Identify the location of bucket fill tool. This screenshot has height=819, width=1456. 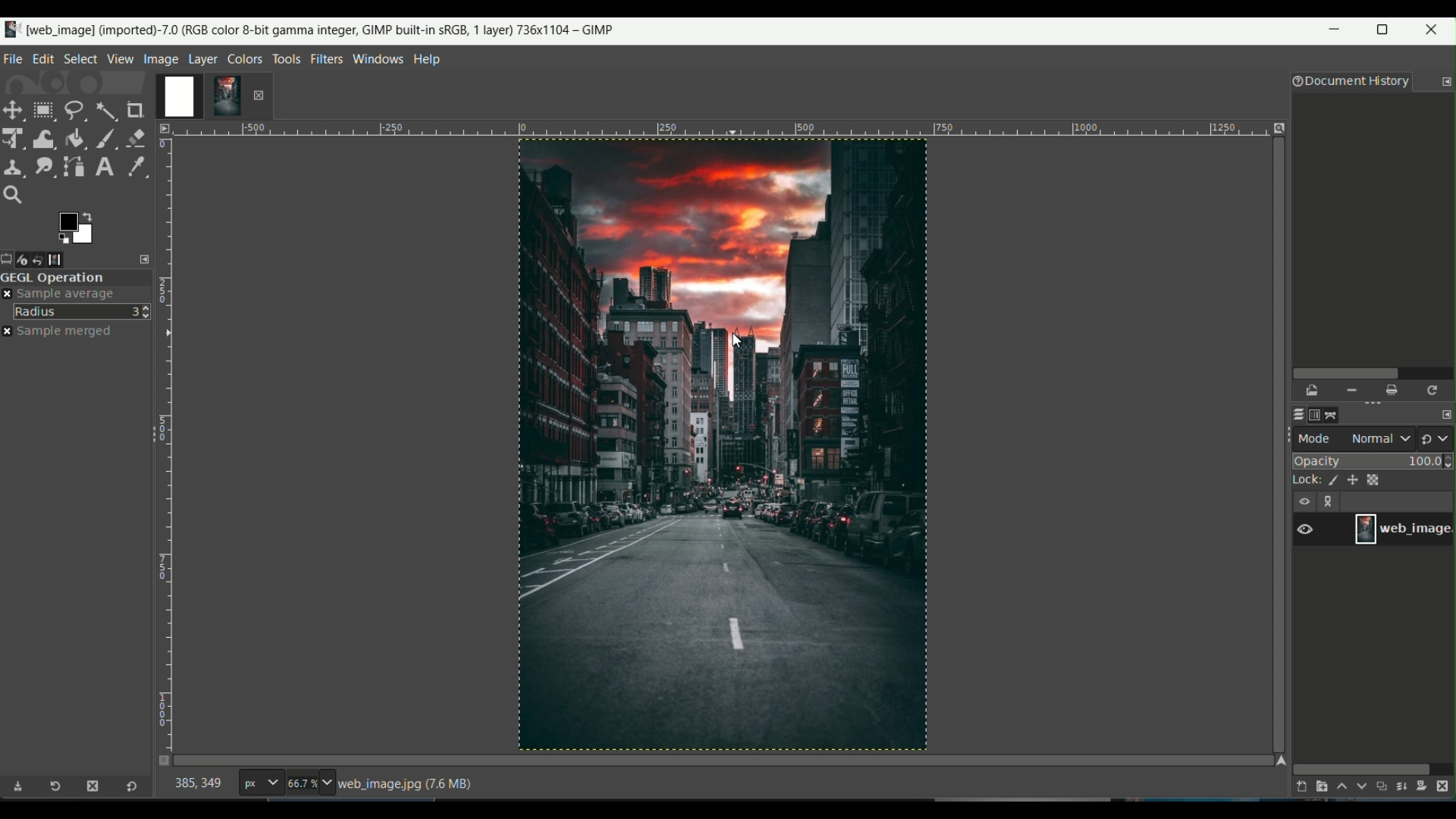
(75, 137).